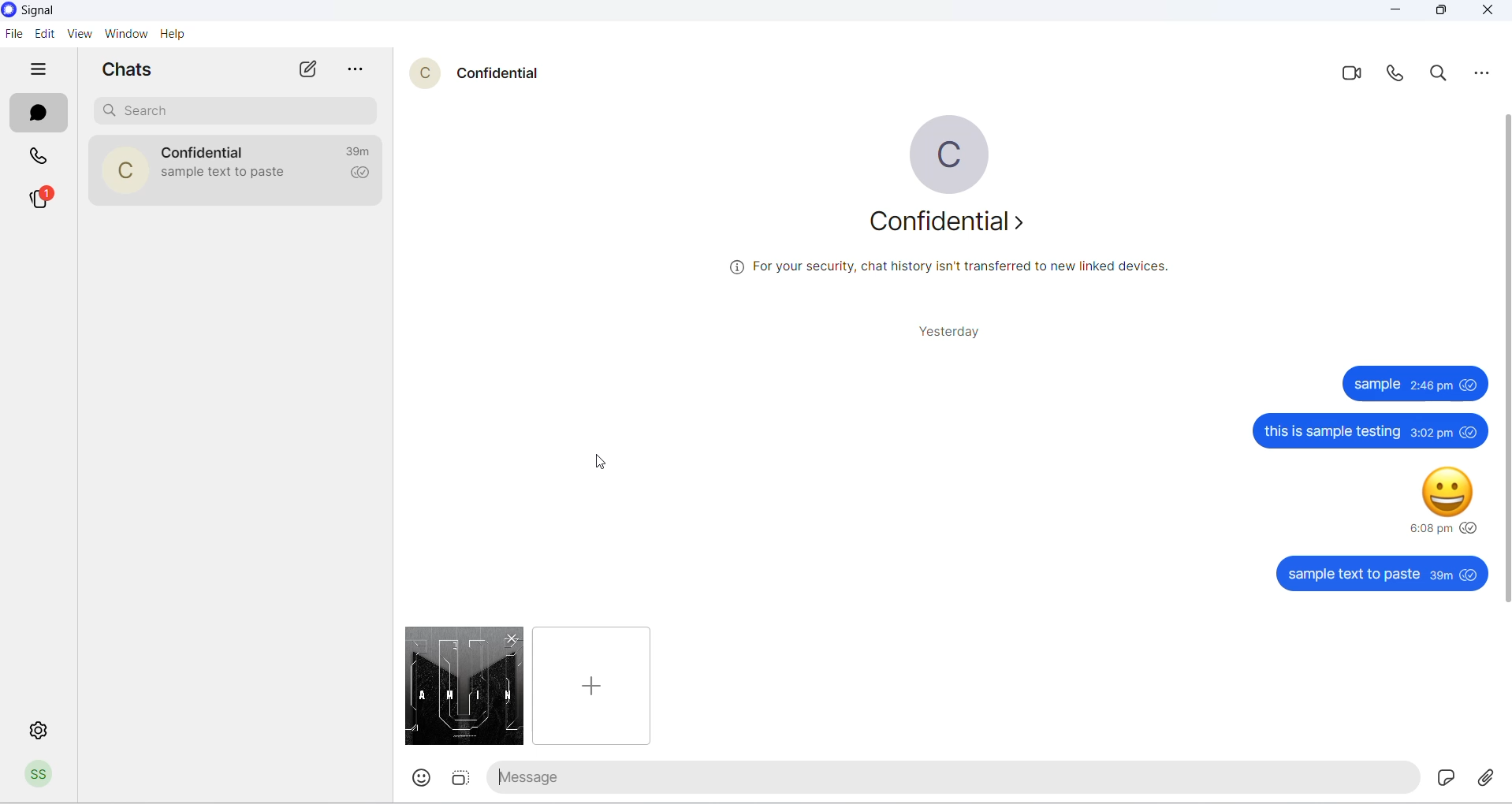  Describe the element at coordinates (43, 11) in the screenshot. I see `application name and logo` at that location.